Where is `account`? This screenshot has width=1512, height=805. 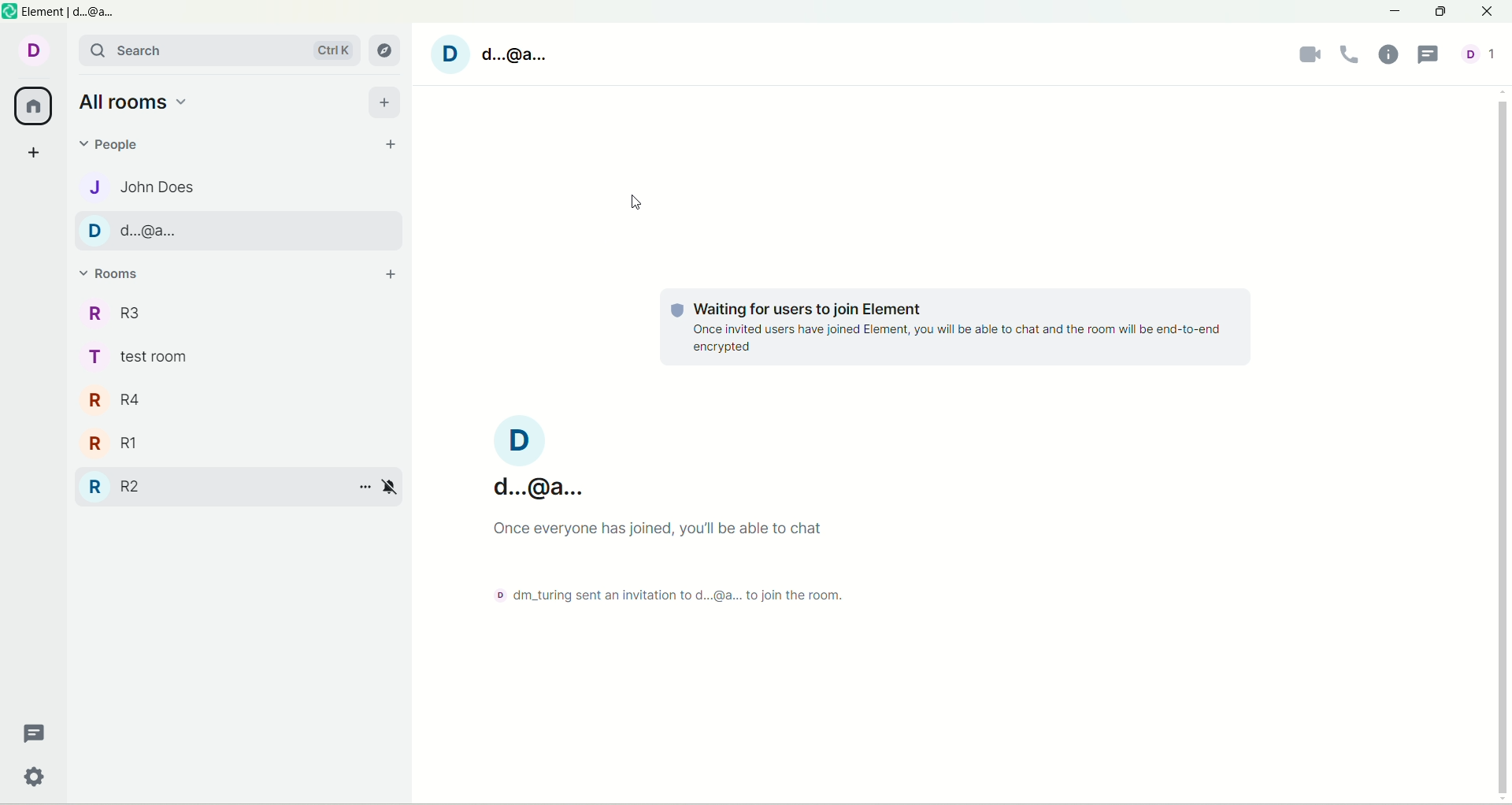
account is located at coordinates (519, 59).